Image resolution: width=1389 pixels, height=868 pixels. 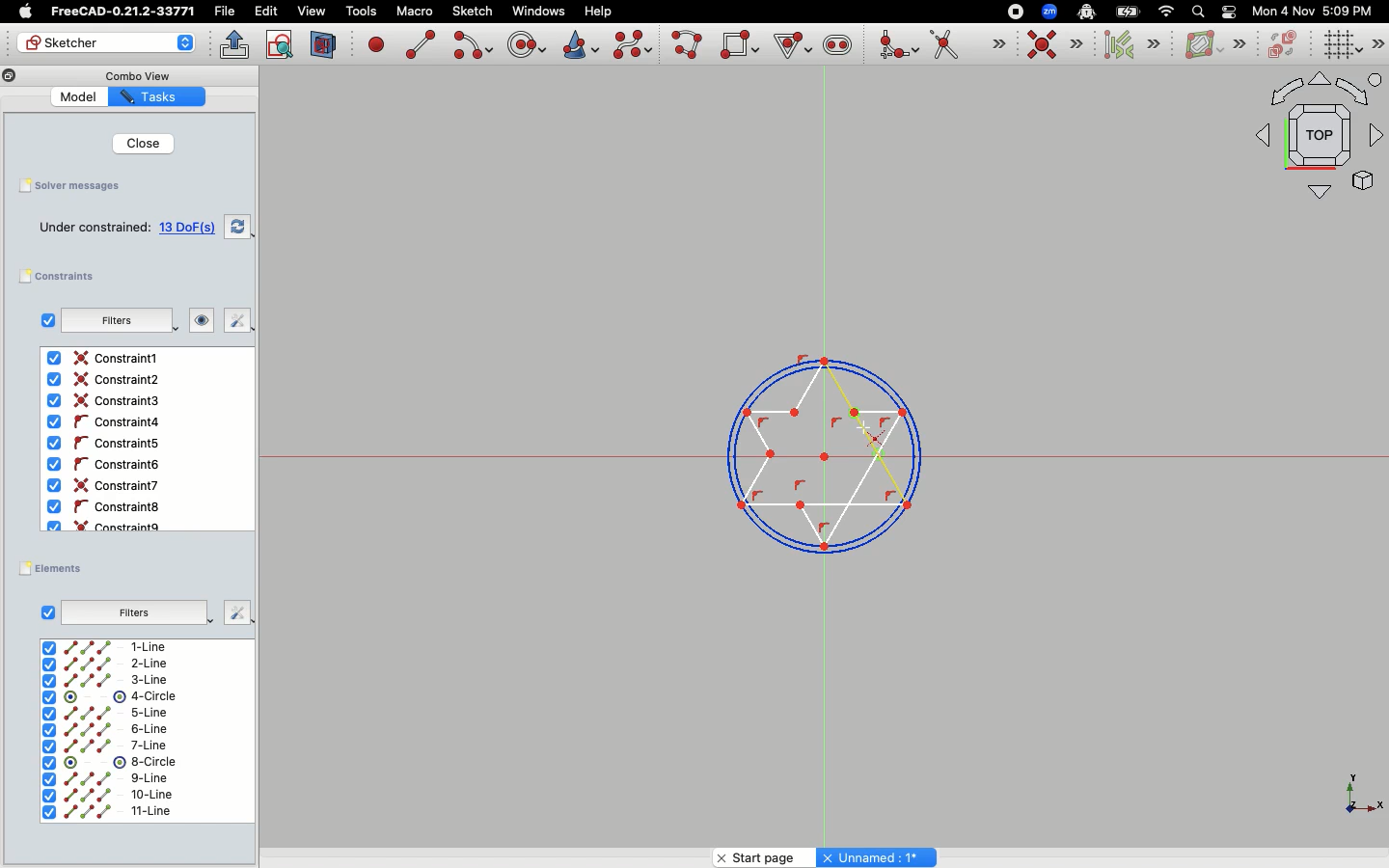 I want to click on Close, so click(x=135, y=143).